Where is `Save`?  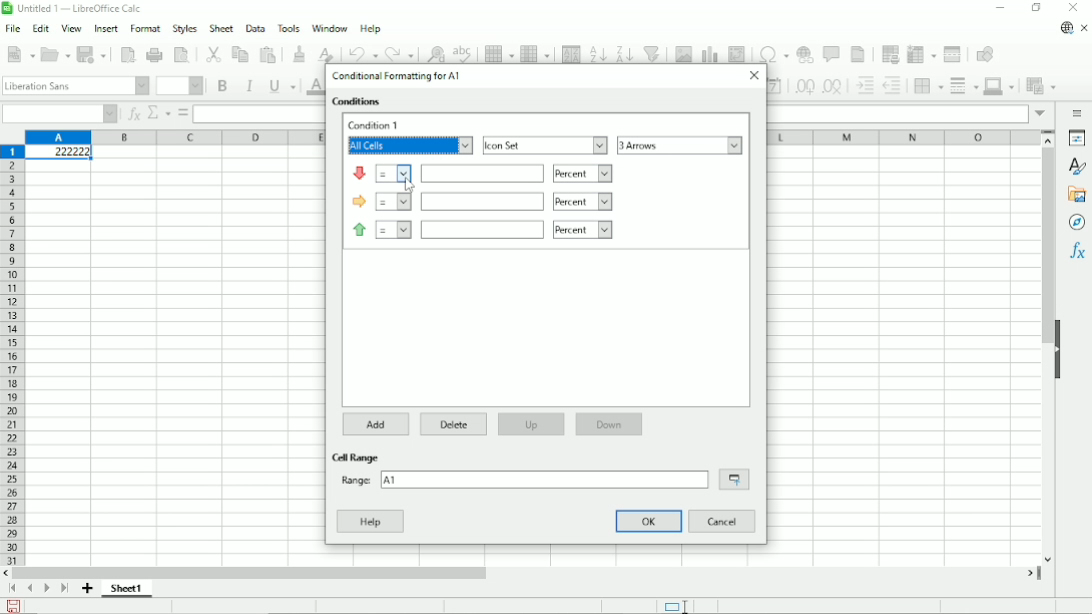 Save is located at coordinates (94, 53).